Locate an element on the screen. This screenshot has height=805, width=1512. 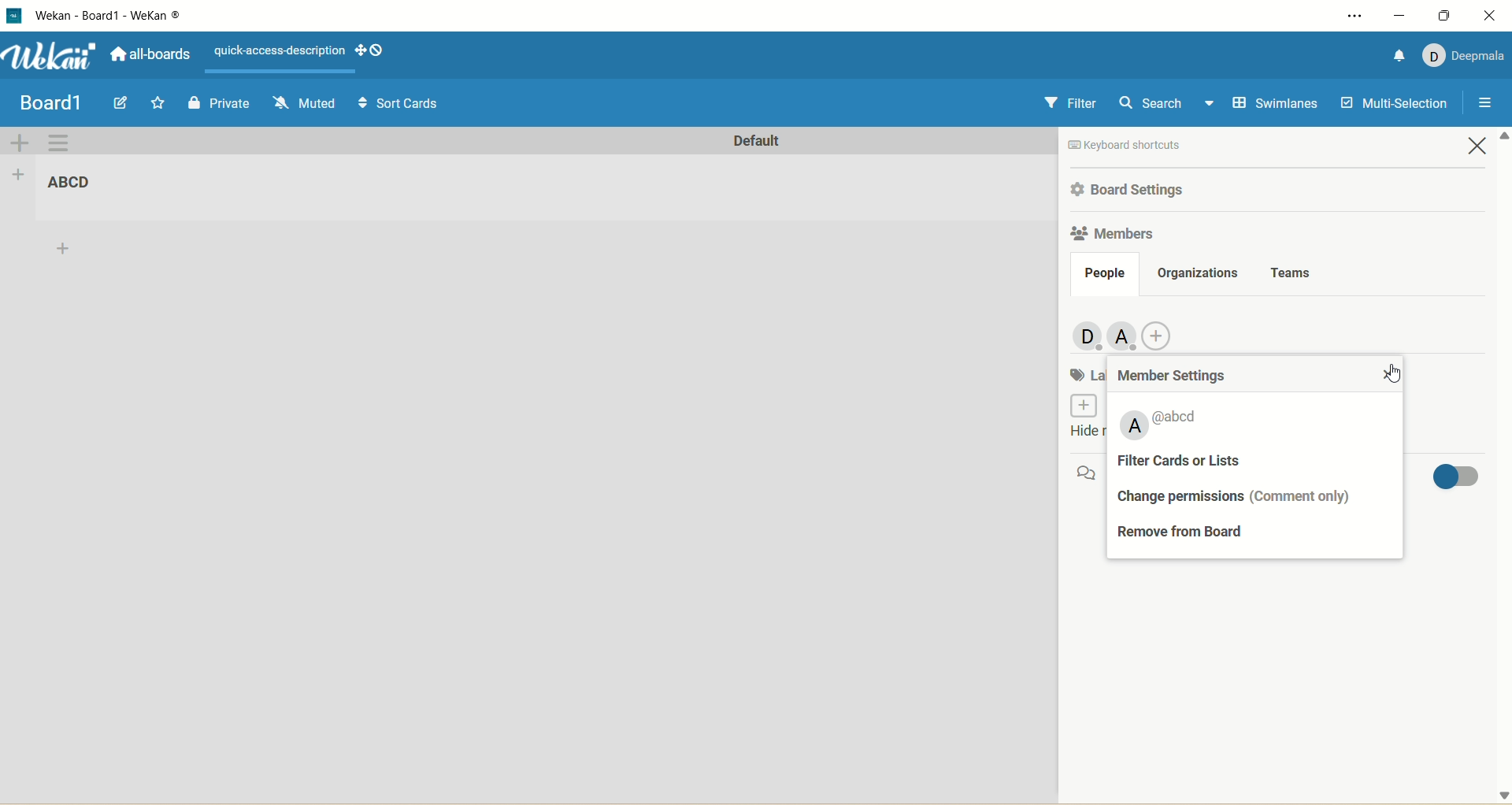
swimlanes is located at coordinates (1272, 106).